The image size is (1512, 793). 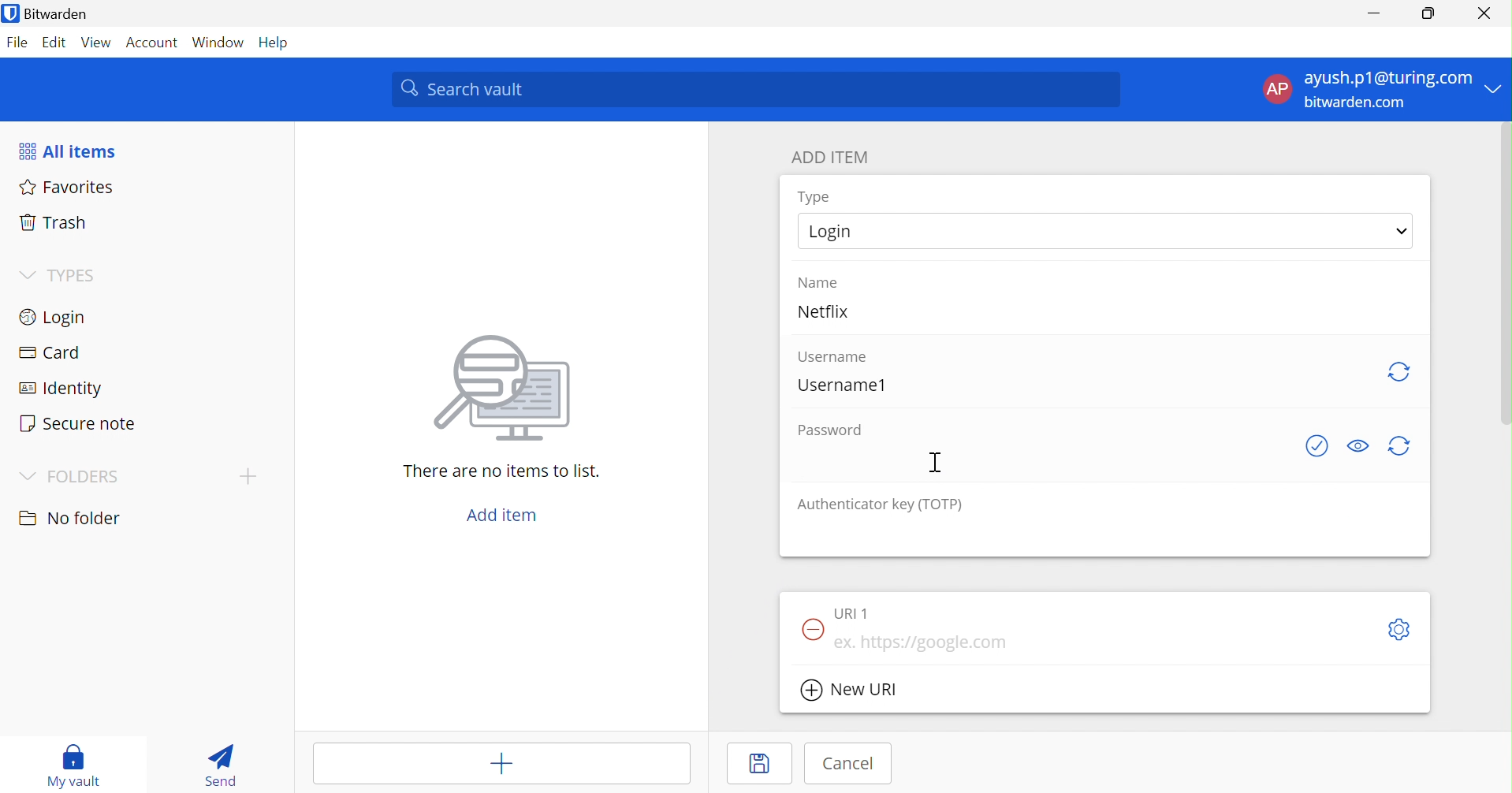 I want to click on Username, so click(x=833, y=358).